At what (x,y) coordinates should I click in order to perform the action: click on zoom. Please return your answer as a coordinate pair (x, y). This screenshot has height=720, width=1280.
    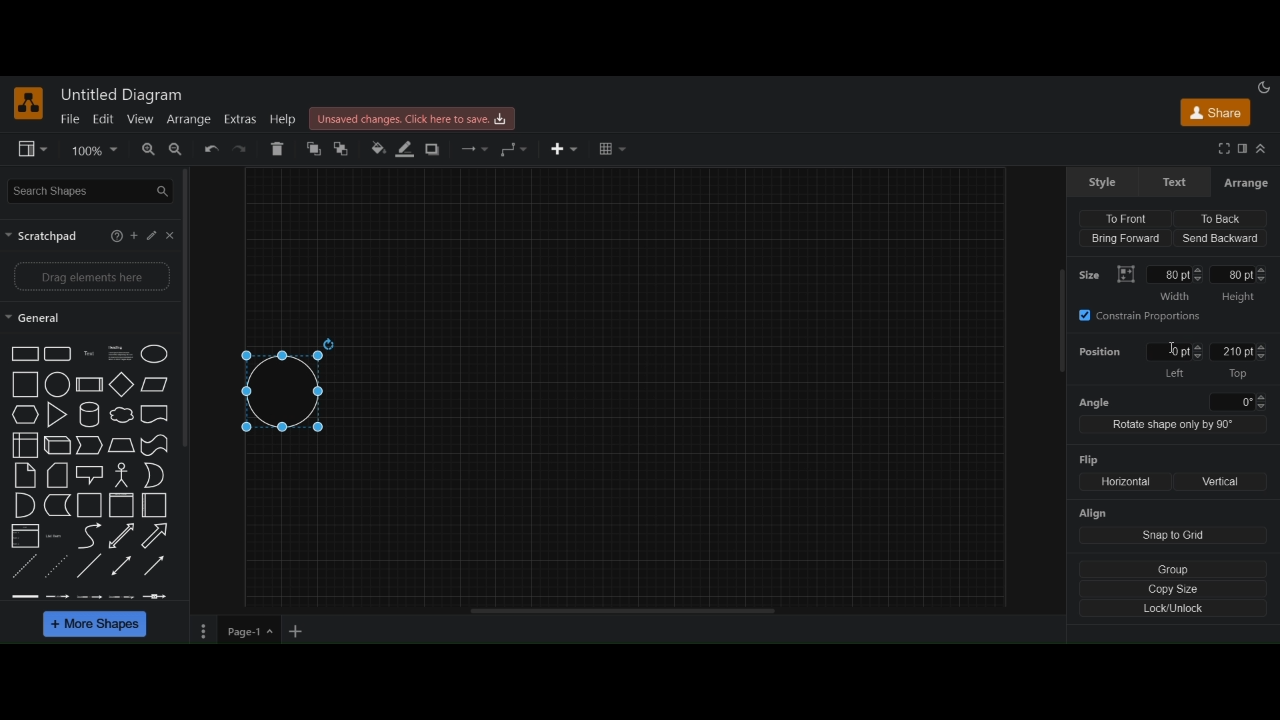
    Looking at the image, I should click on (95, 150).